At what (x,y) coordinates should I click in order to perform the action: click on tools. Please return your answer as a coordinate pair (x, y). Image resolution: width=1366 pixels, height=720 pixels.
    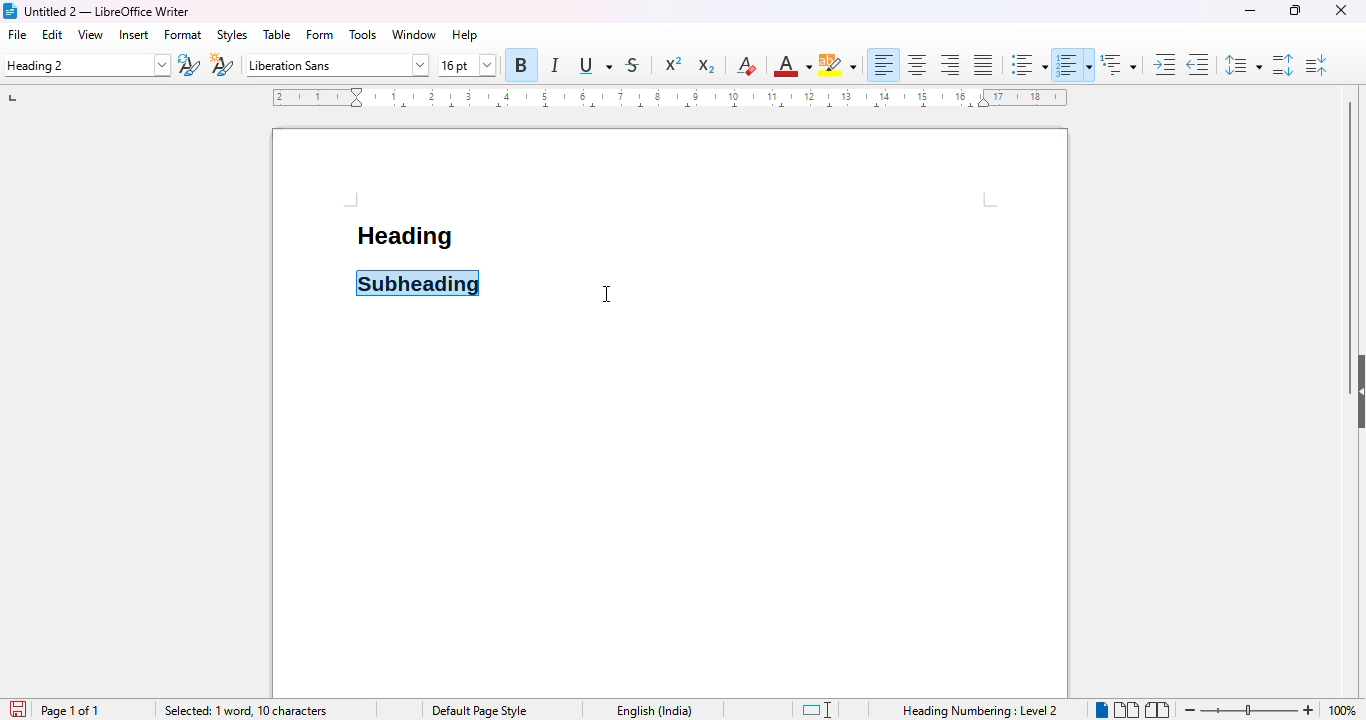
    Looking at the image, I should click on (363, 35).